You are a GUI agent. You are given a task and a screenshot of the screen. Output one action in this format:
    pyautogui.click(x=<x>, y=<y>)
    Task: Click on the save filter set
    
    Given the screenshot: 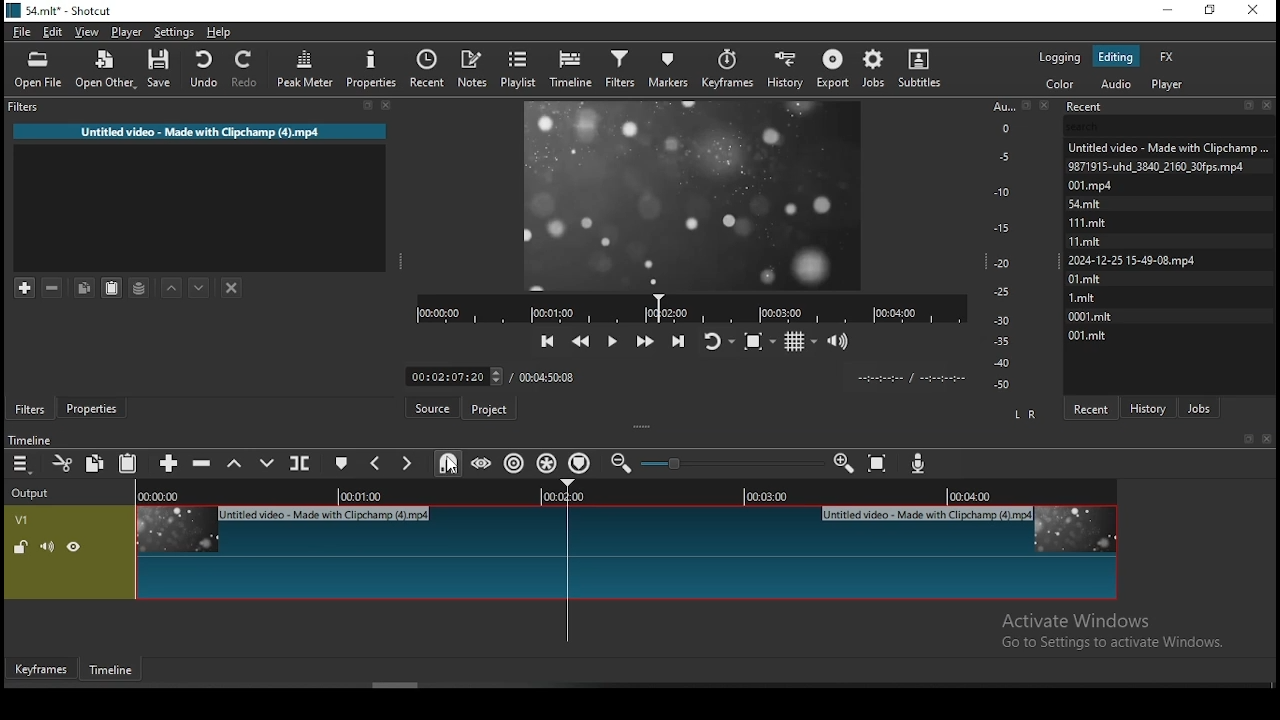 What is the action you would take?
    pyautogui.click(x=142, y=288)
    